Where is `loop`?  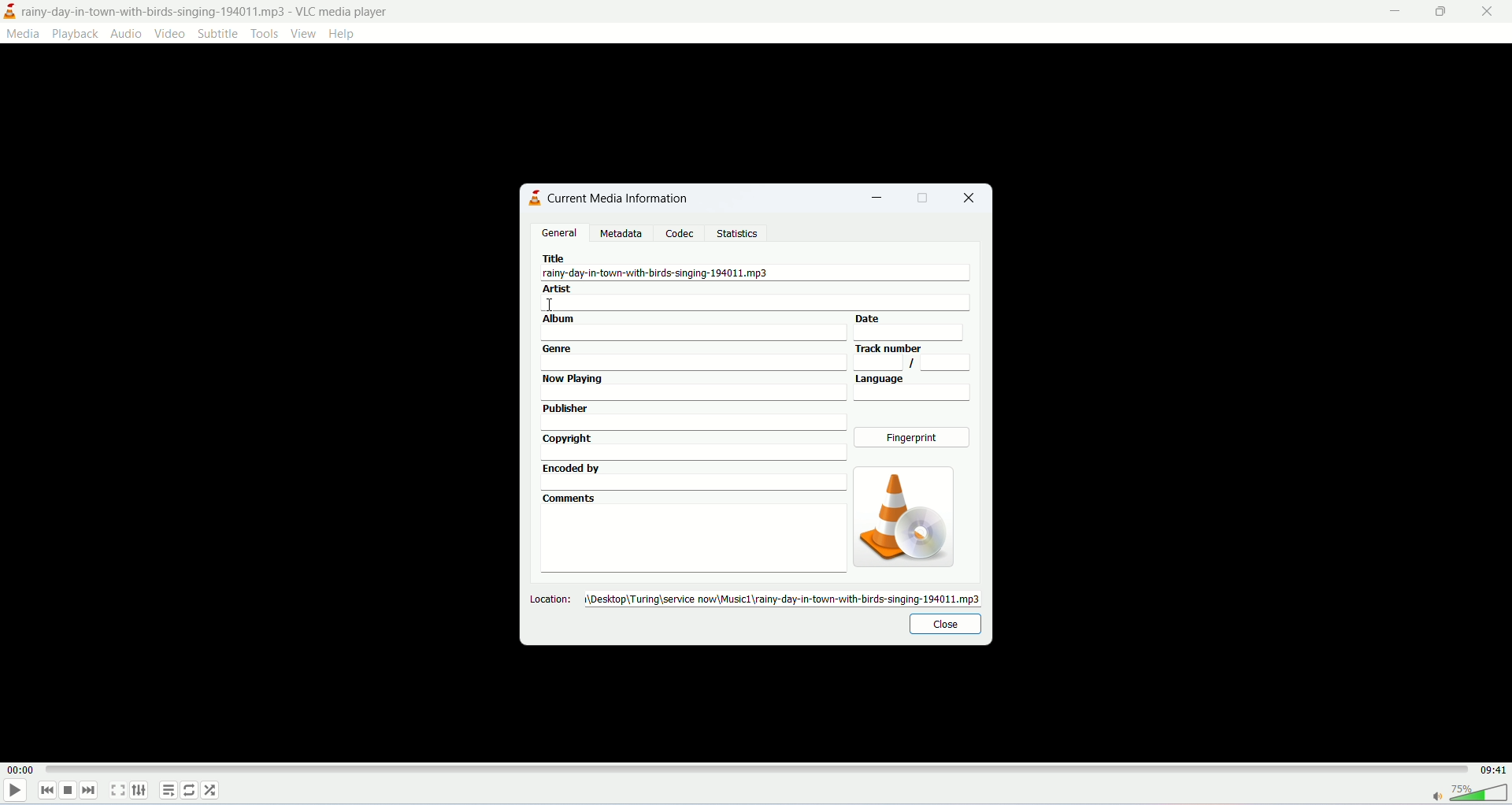 loop is located at coordinates (191, 790).